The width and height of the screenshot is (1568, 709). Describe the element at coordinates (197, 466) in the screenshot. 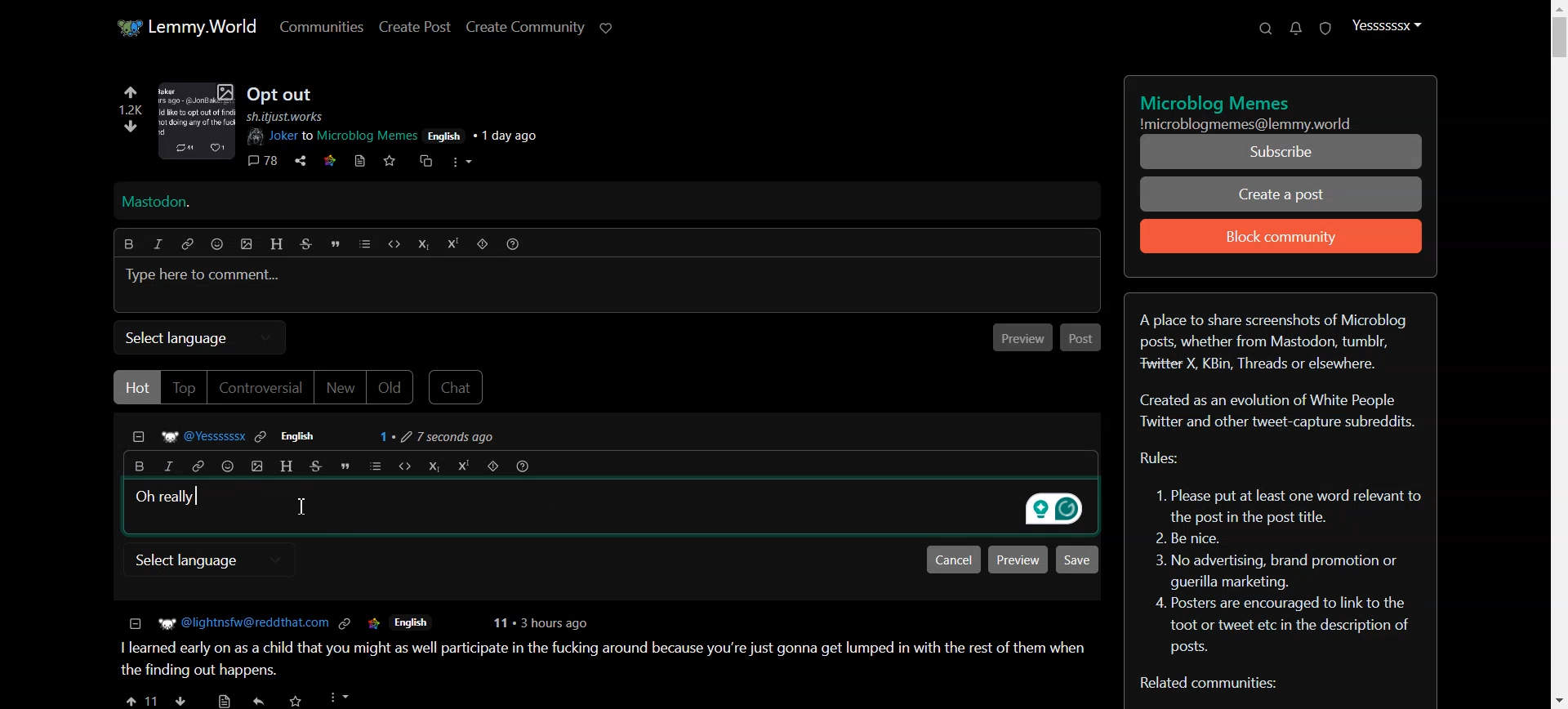

I see `Hyperlink` at that location.